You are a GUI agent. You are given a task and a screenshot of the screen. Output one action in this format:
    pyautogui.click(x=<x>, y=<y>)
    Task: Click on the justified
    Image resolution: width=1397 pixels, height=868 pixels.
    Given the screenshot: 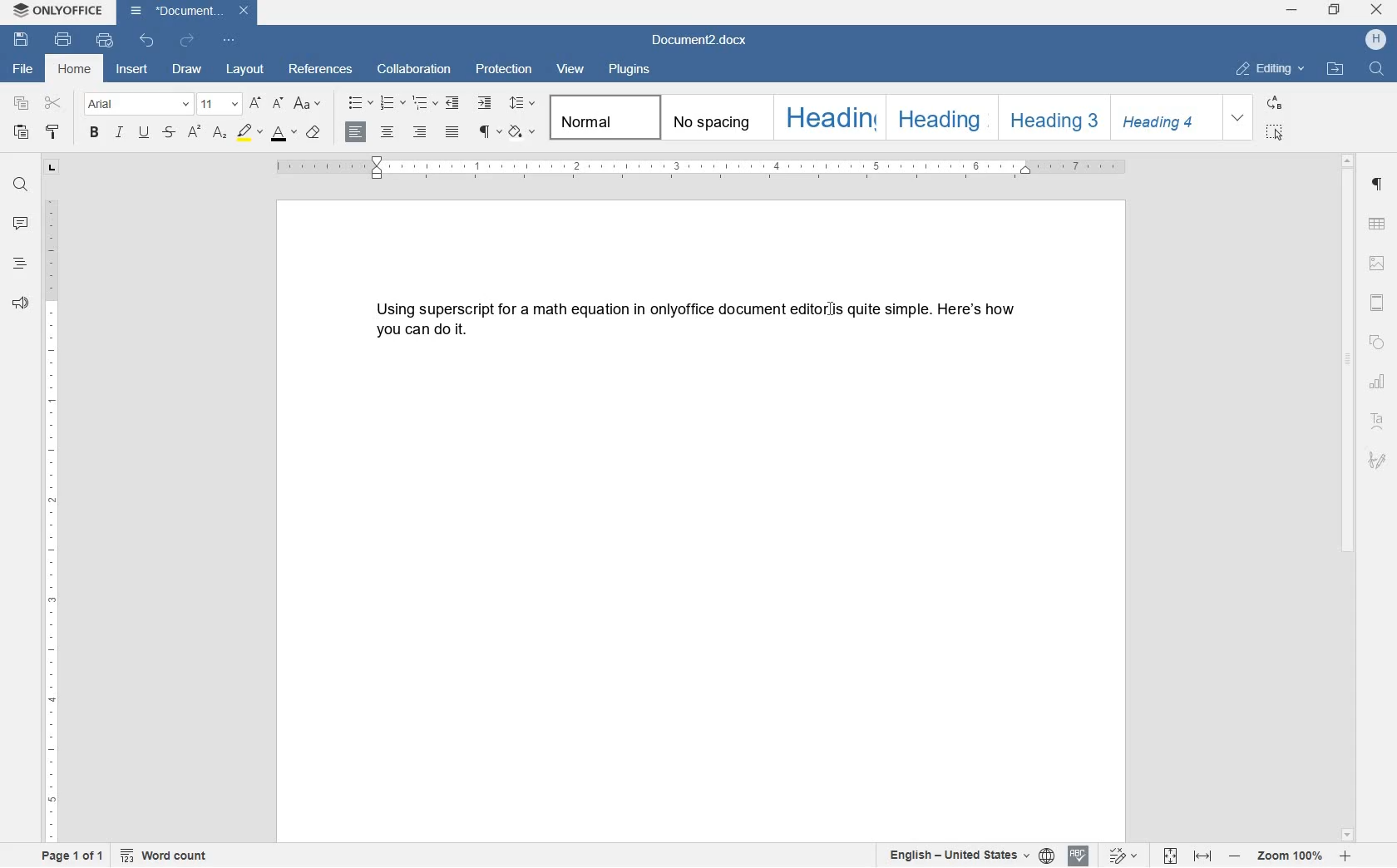 What is the action you would take?
    pyautogui.click(x=453, y=132)
    